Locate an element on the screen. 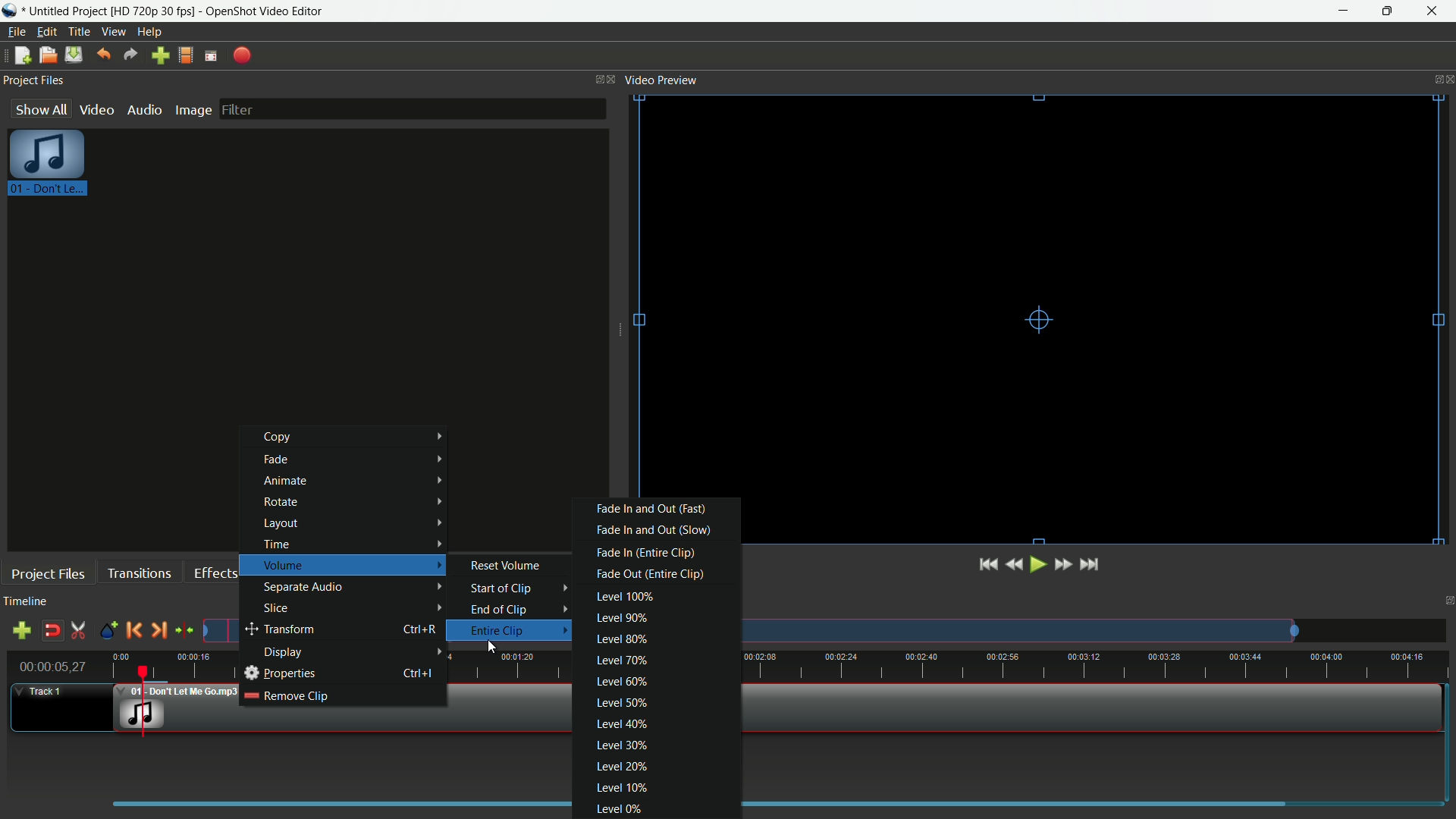  time is located at coordinates (350, 544).